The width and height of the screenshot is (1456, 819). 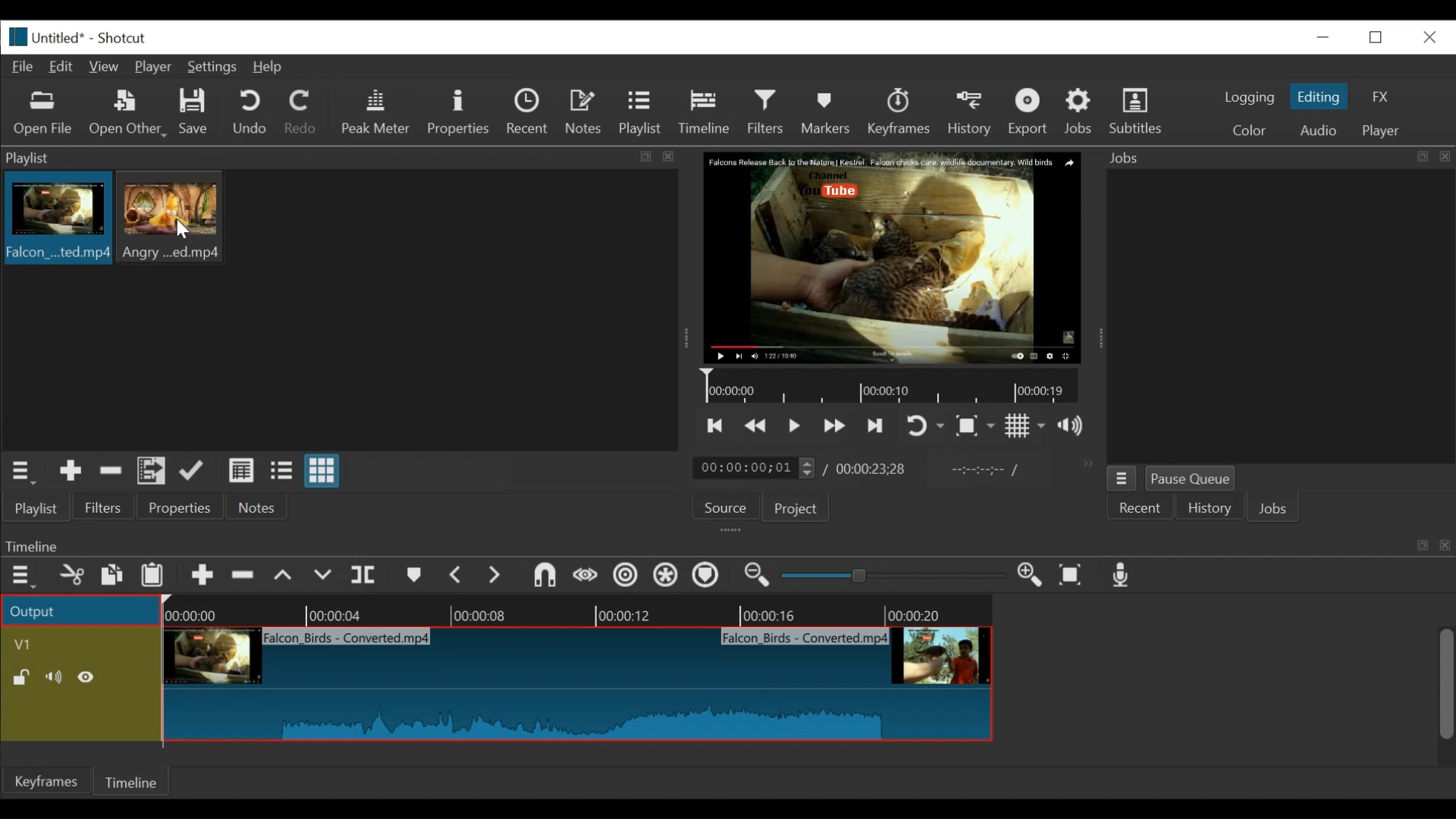 What do you see at coordinates (1321, 96) in the screenshot?
I see `Editing` at bounding box center [1321, 96].